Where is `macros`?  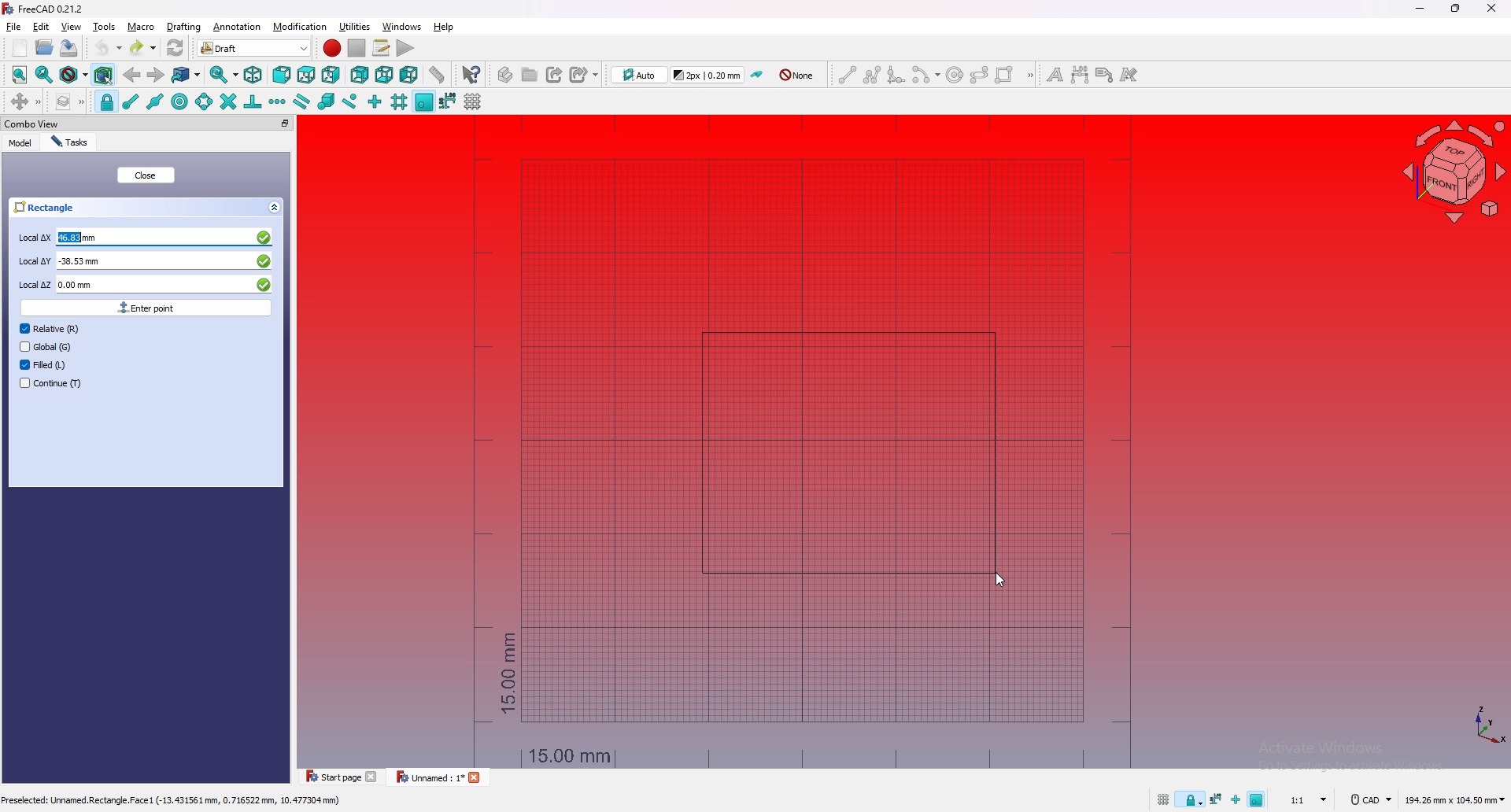 macros is located at coordinates (382, 48).